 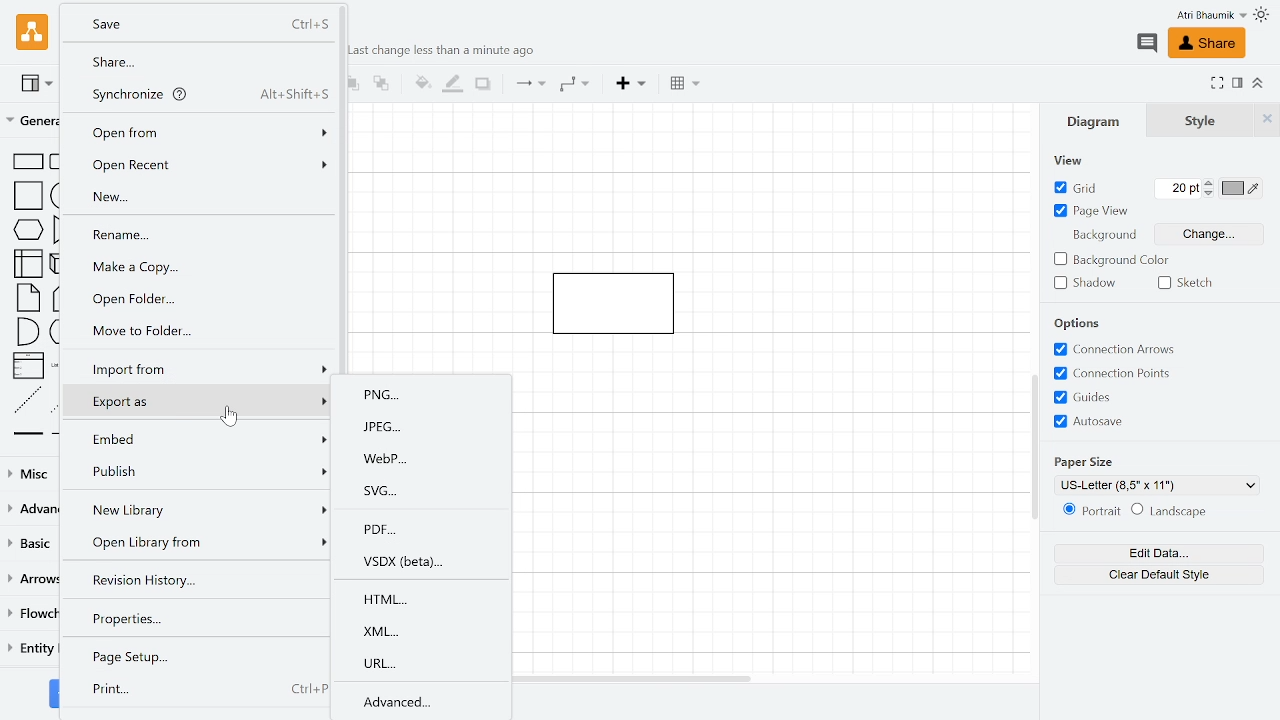 What do you see at coordinates (200, 618) in the screenshot?
I see `Properties` at bounding box center [200, 618].